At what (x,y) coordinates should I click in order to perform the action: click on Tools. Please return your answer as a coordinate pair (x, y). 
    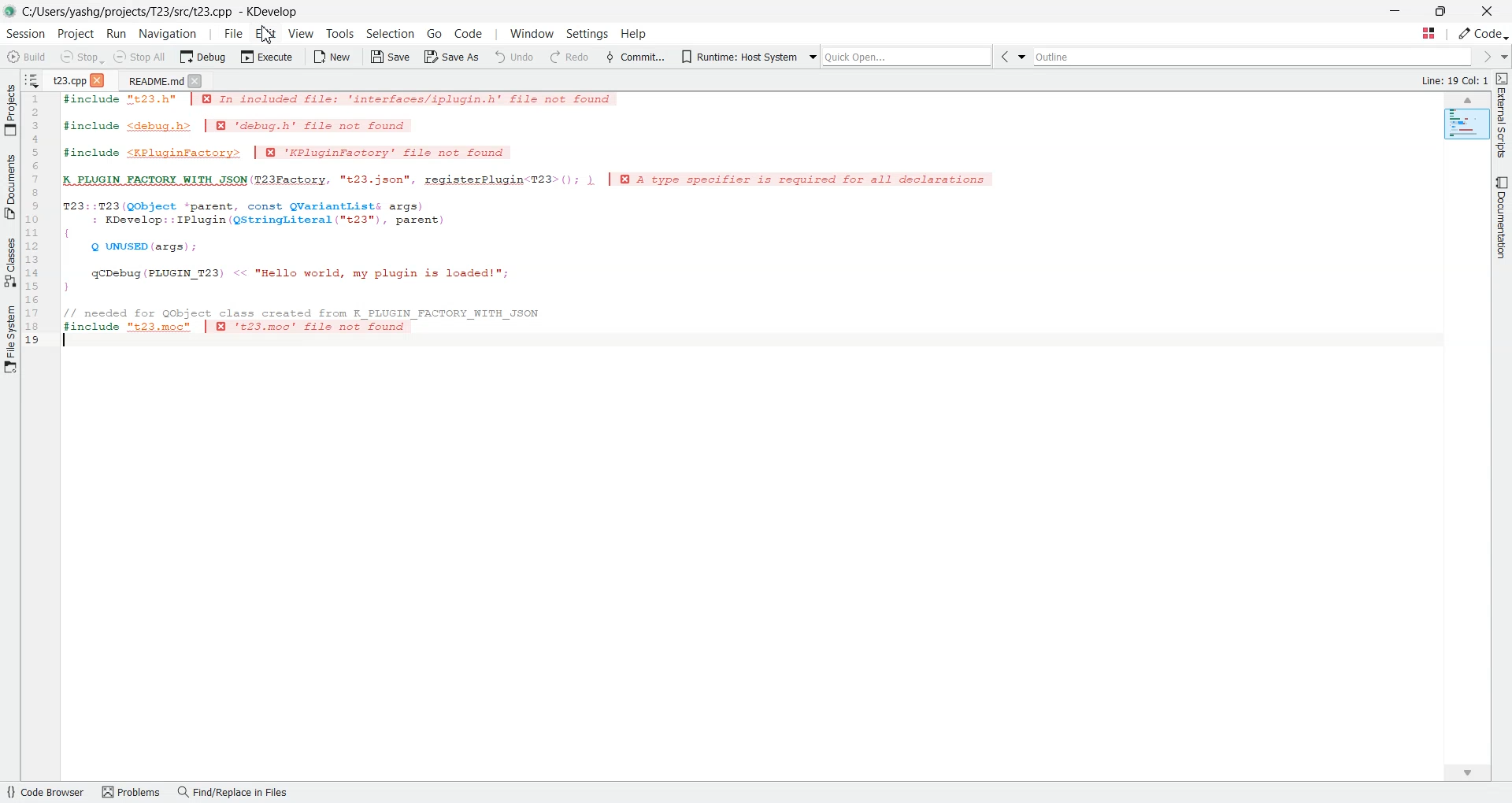
    Looking at the image, I should click on (339, 34).